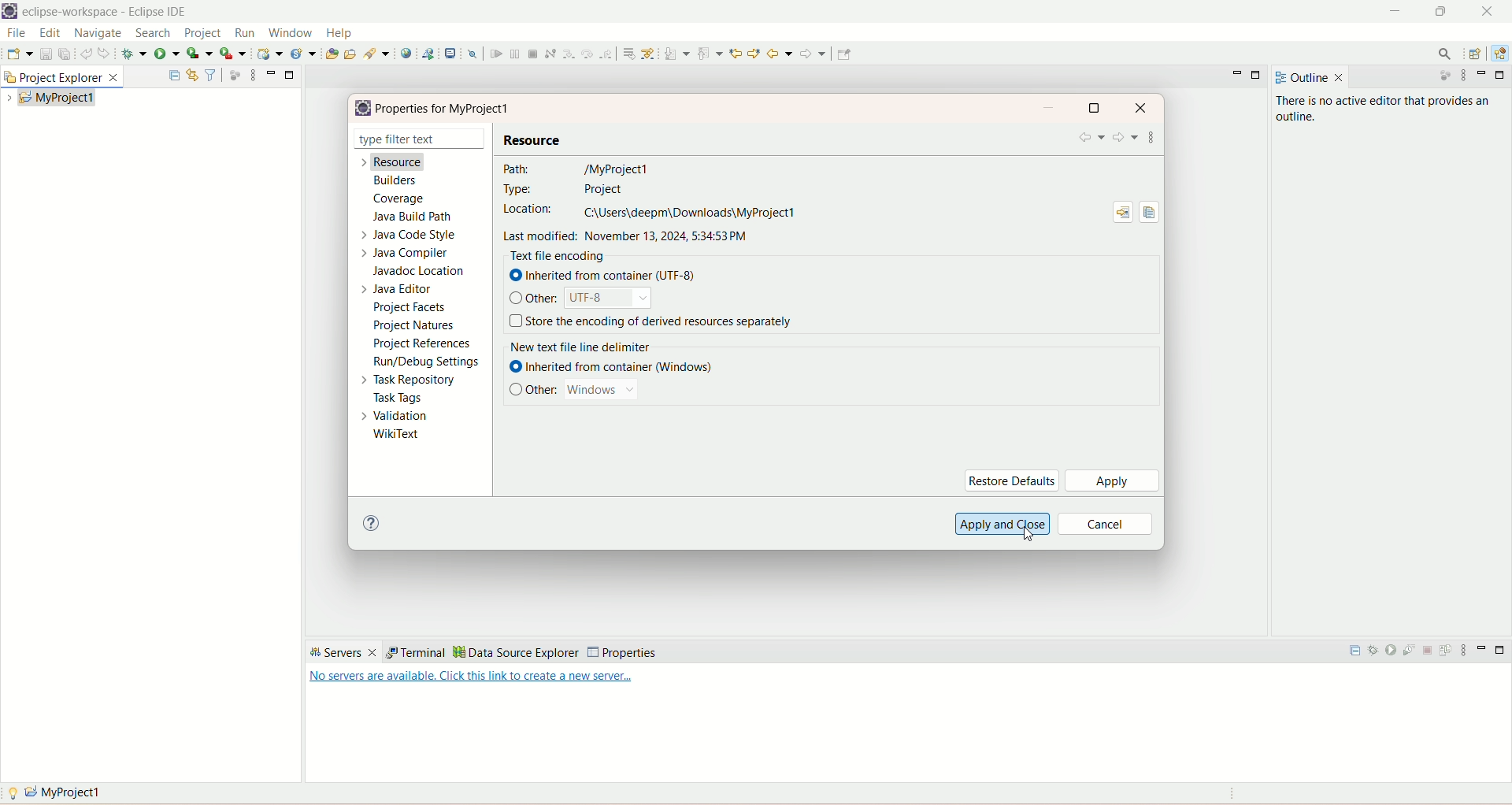  What do you see at coordinates (566, 189) in the screenshot?
I see `type` at bounding box center [566, 189].